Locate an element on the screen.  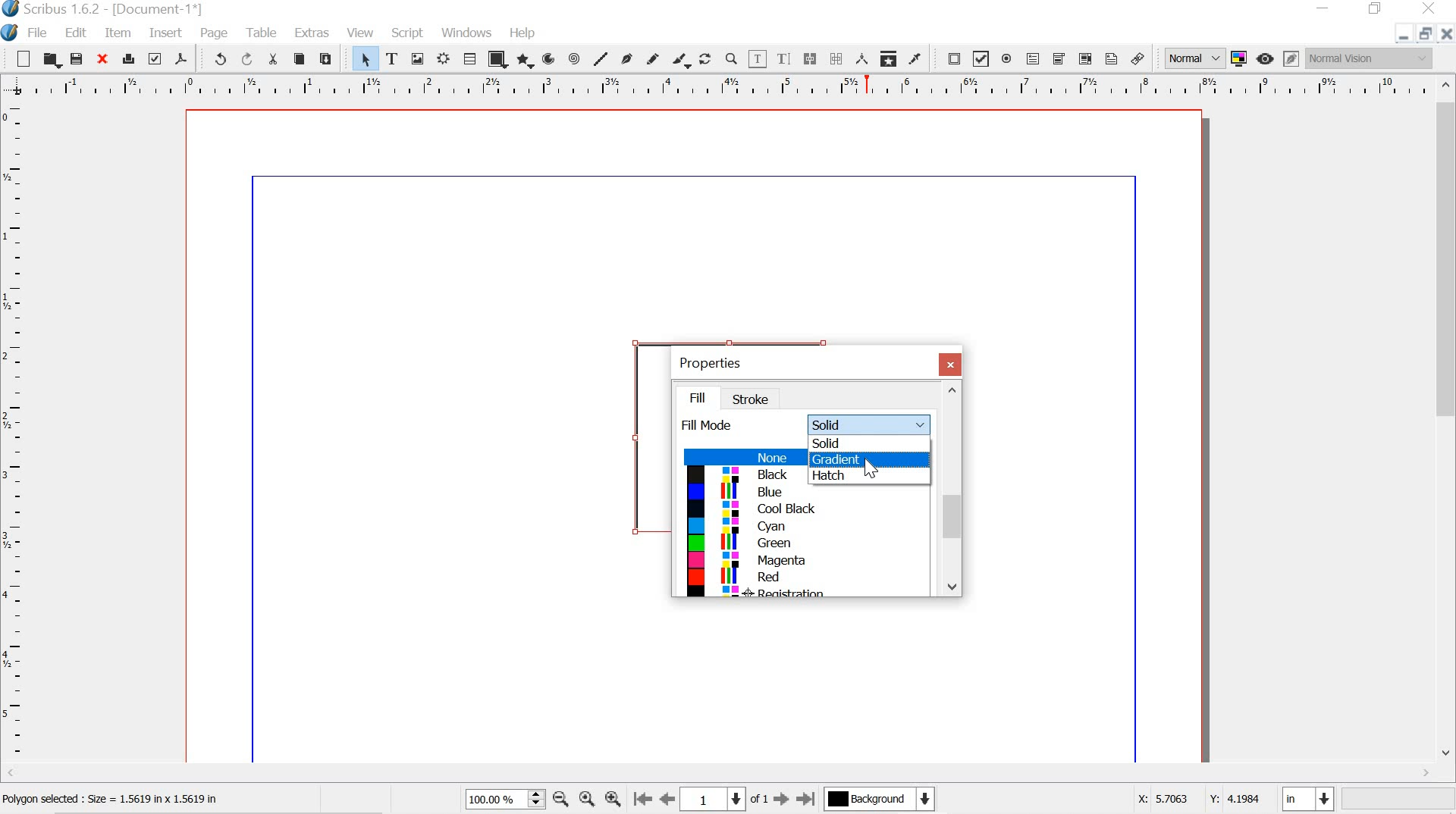
scrollbar is located at coordinates (952, 490).